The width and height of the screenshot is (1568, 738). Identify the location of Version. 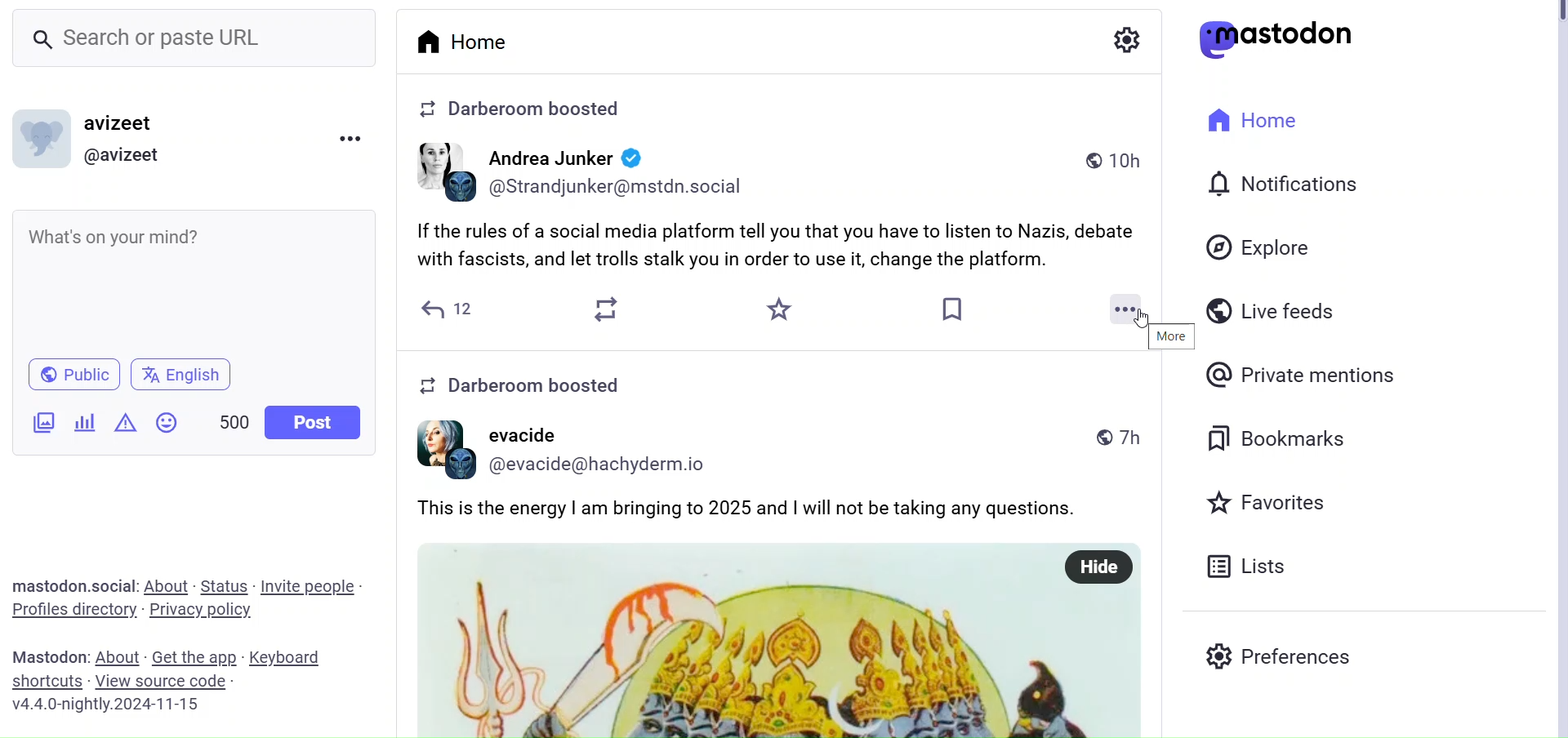
(109, 705).